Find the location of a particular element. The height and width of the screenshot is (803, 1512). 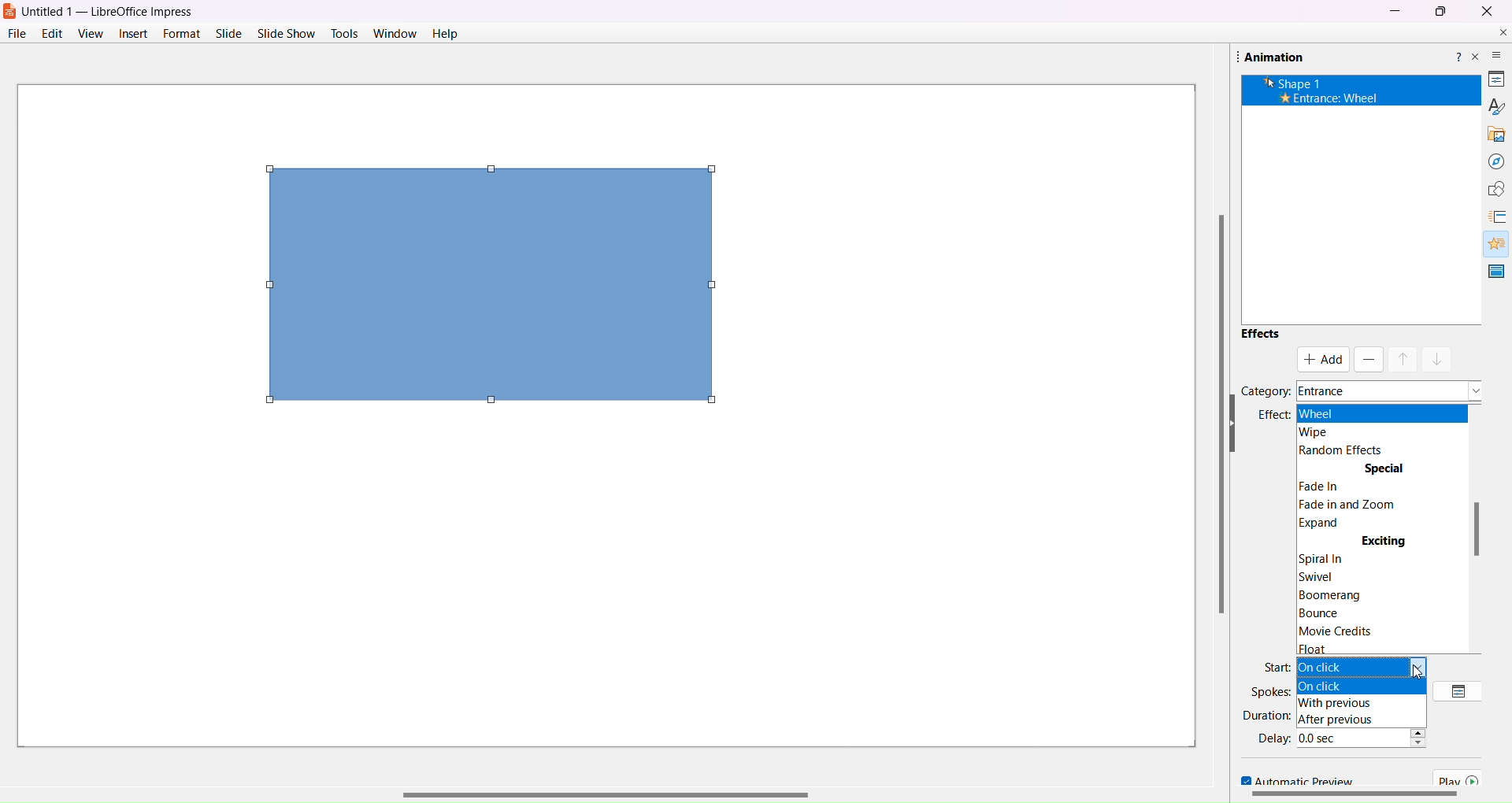

Types of start is located at coordinates (1369, 668).